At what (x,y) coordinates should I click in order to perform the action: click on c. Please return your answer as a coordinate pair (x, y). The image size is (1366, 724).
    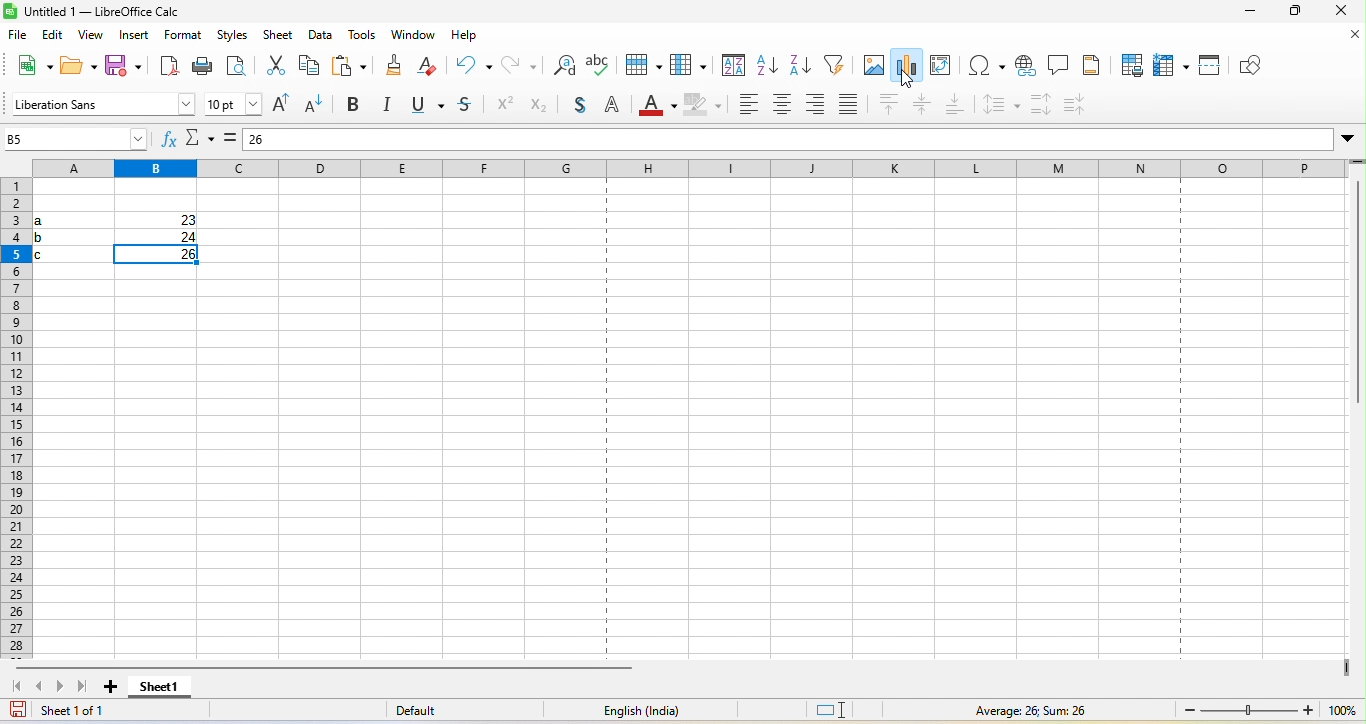
    Looking at the image, I should click on (54, 253).